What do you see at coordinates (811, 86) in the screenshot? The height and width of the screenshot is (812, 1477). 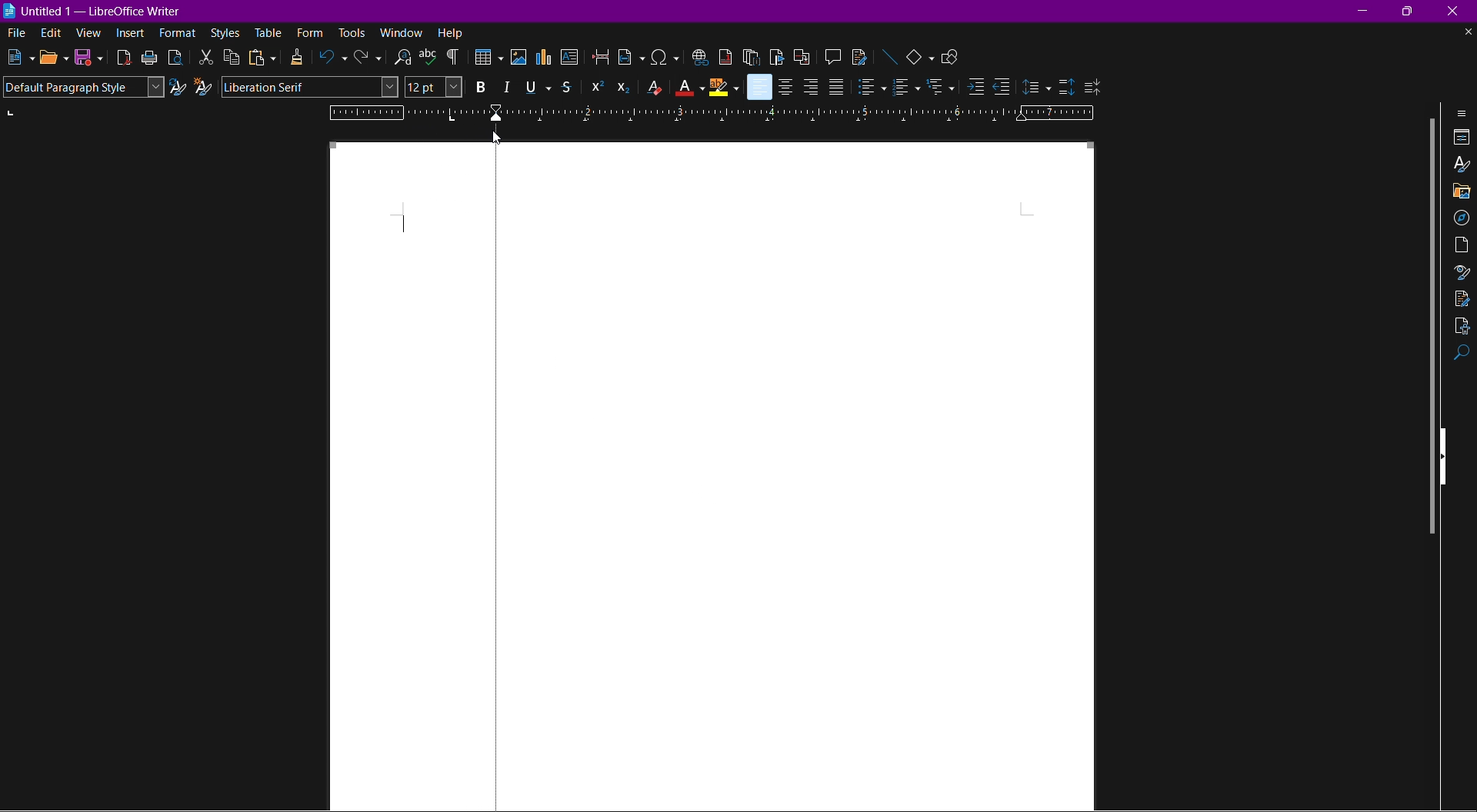 I see `Align Right` at bounding box center [811, 86].